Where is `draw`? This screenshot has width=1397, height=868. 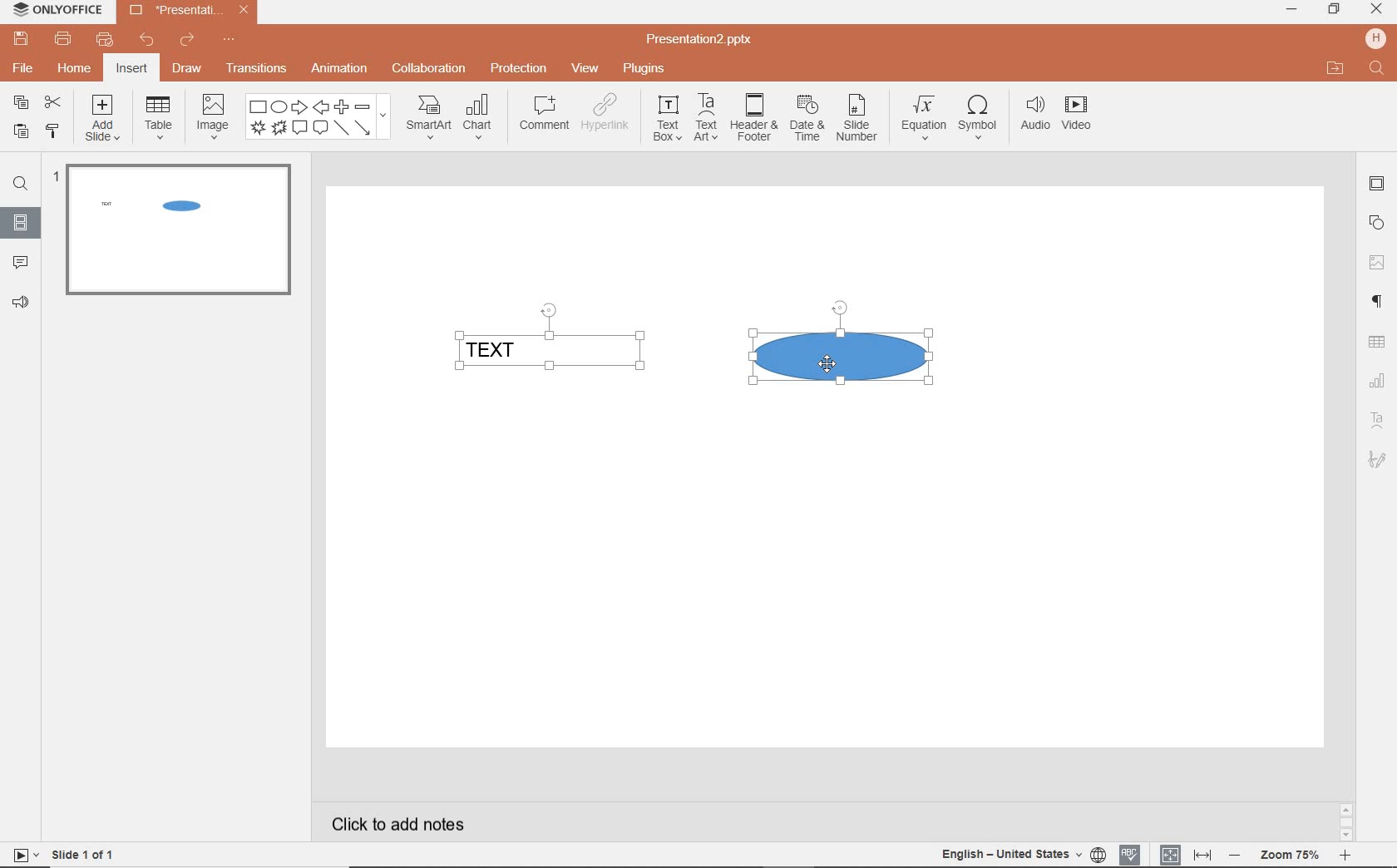 draw is located at coordinates (190, 68).